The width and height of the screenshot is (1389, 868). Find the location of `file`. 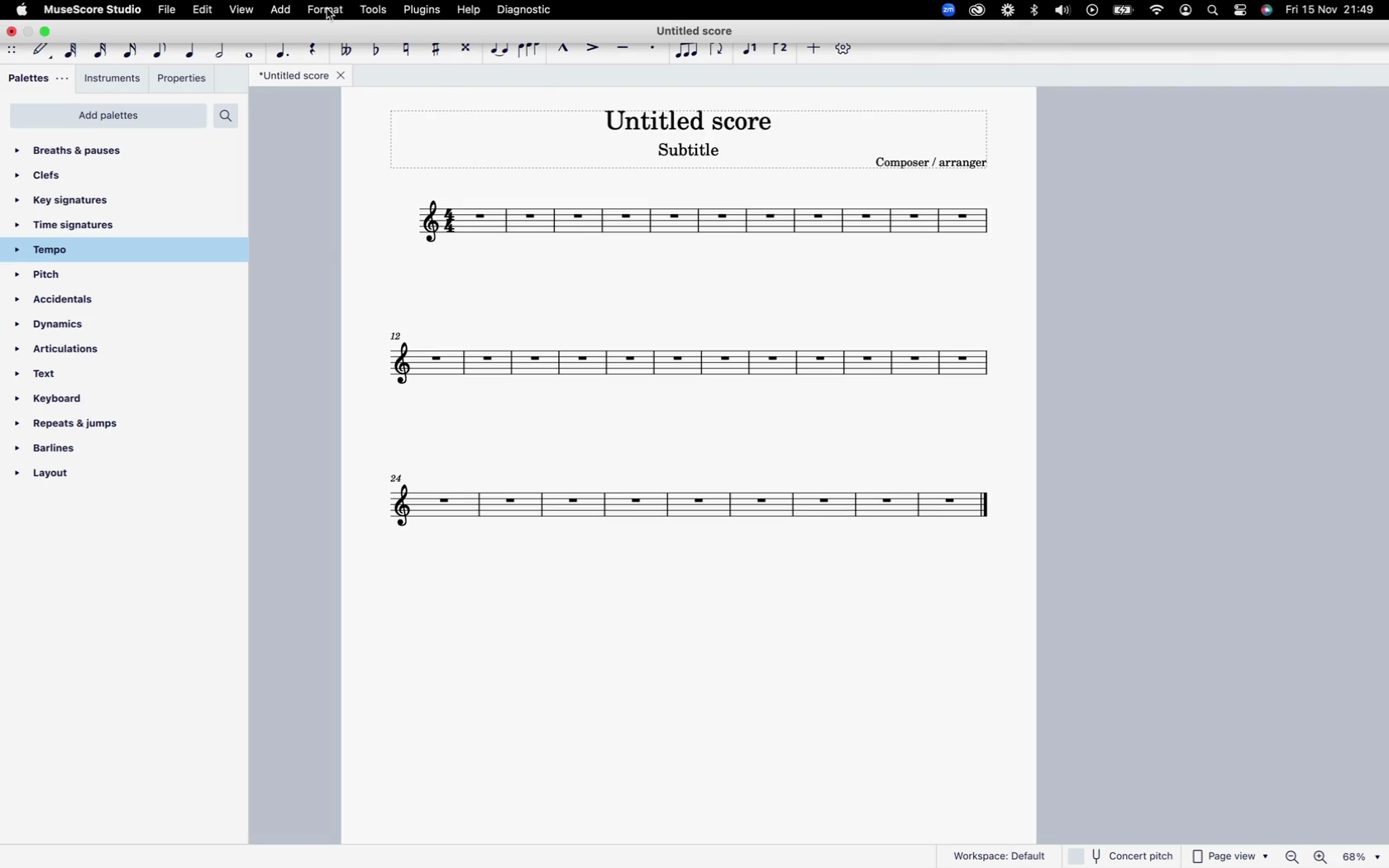

file is located at coordinates (168, 12).